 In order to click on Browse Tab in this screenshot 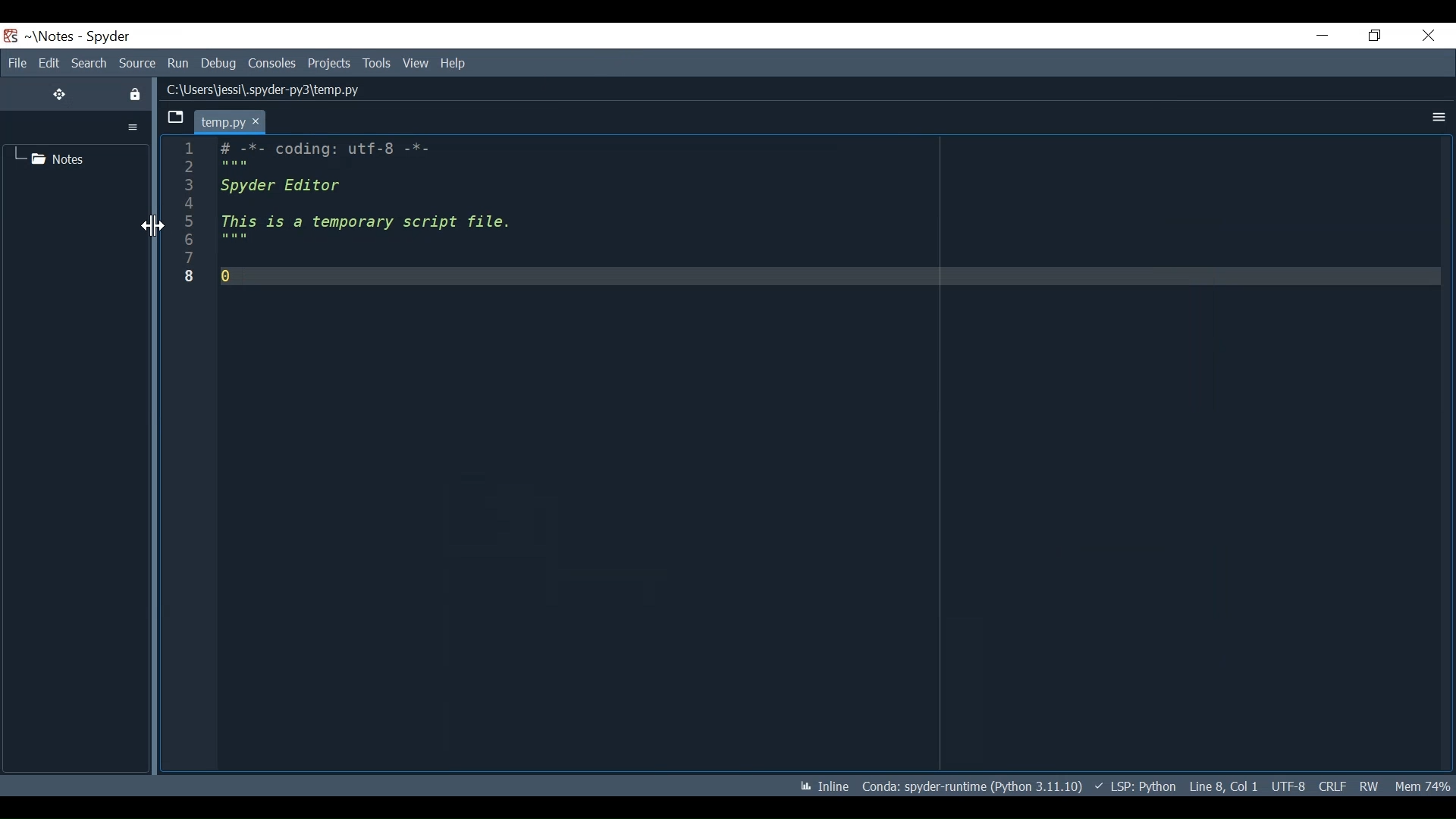, I will do `click(175, 118)`.